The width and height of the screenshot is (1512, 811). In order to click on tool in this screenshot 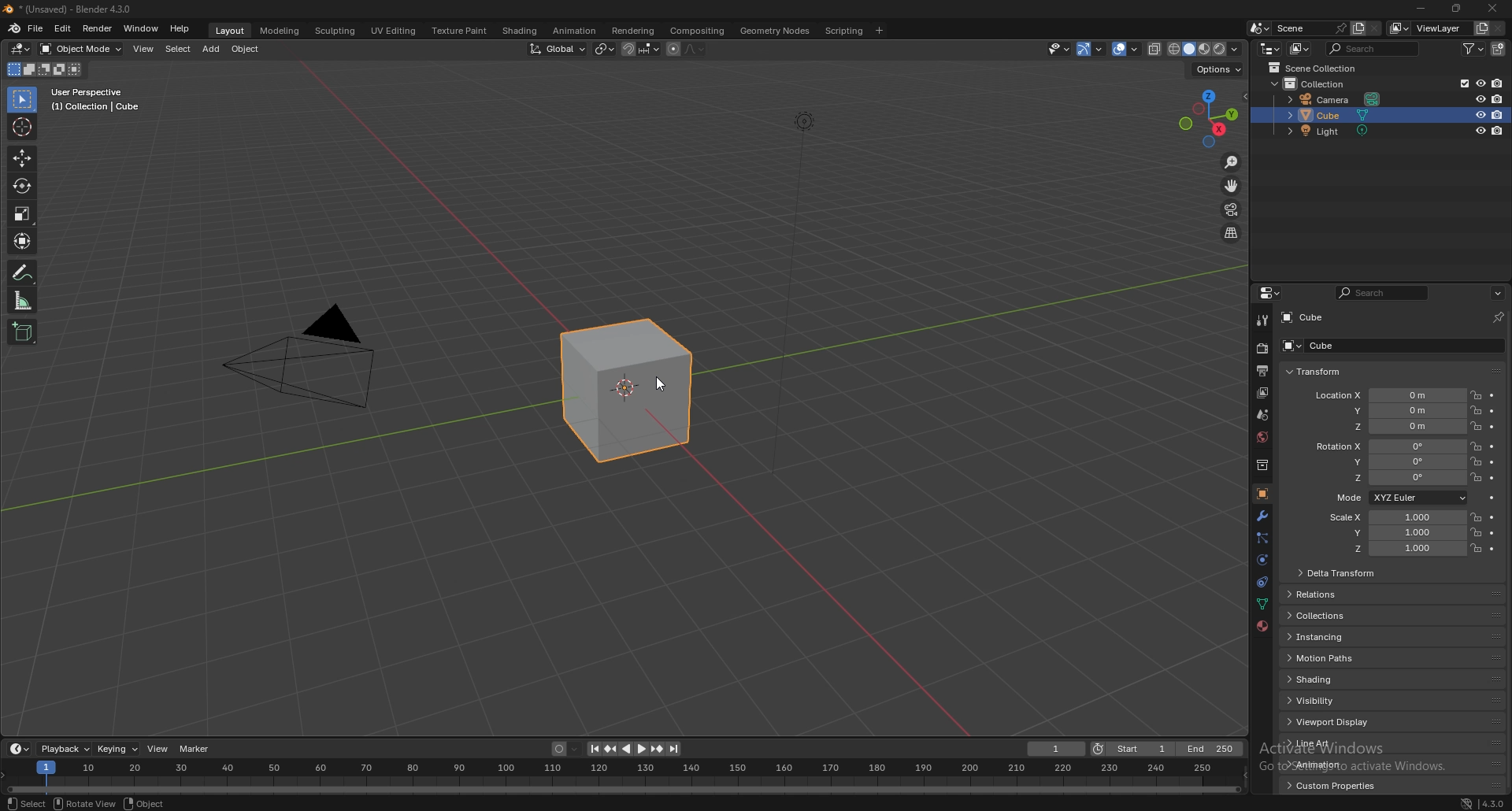, I will do `click(1263, 320)`.